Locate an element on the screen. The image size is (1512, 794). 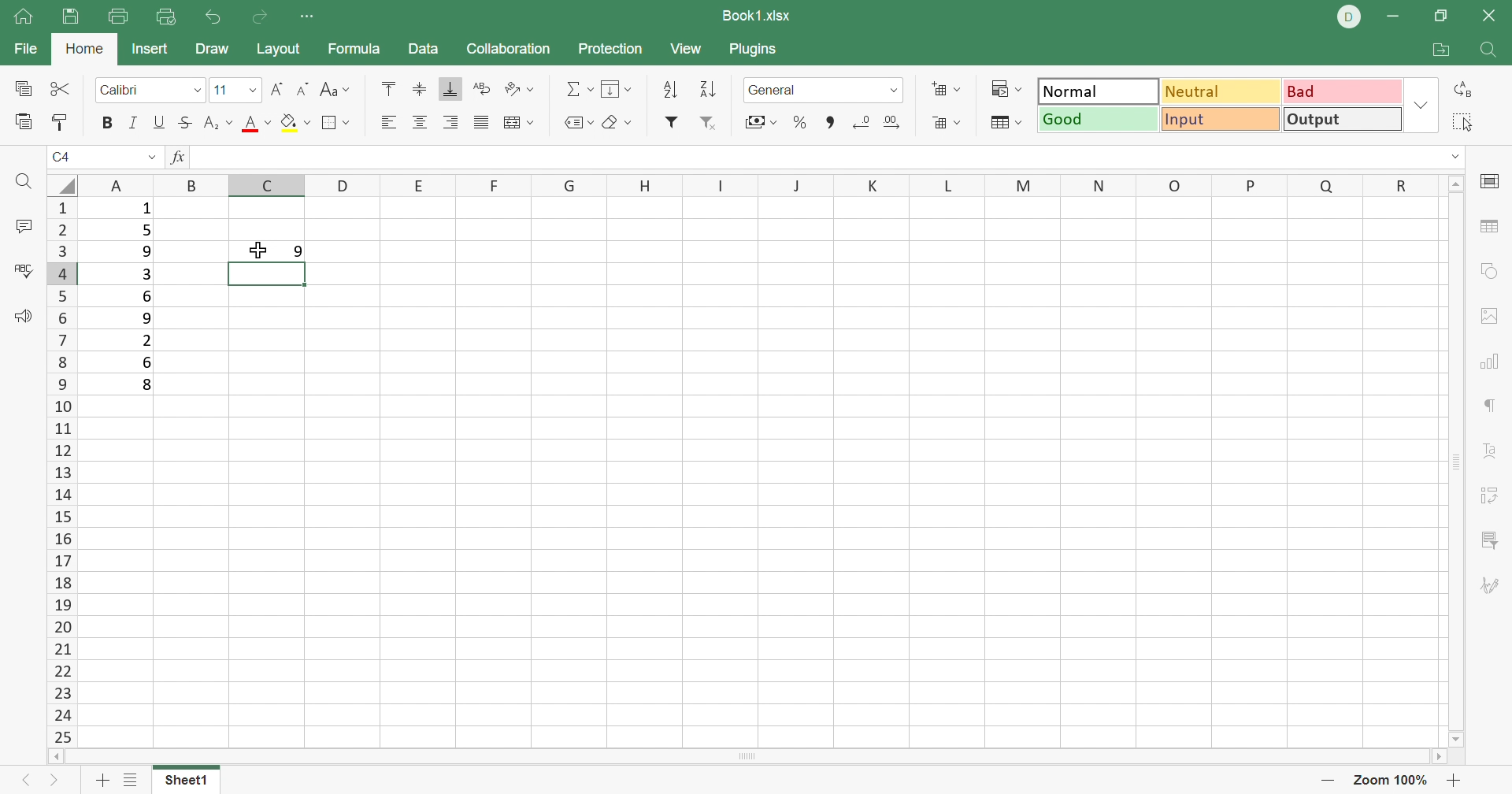
Copy style is located at coordinates (61, 121).